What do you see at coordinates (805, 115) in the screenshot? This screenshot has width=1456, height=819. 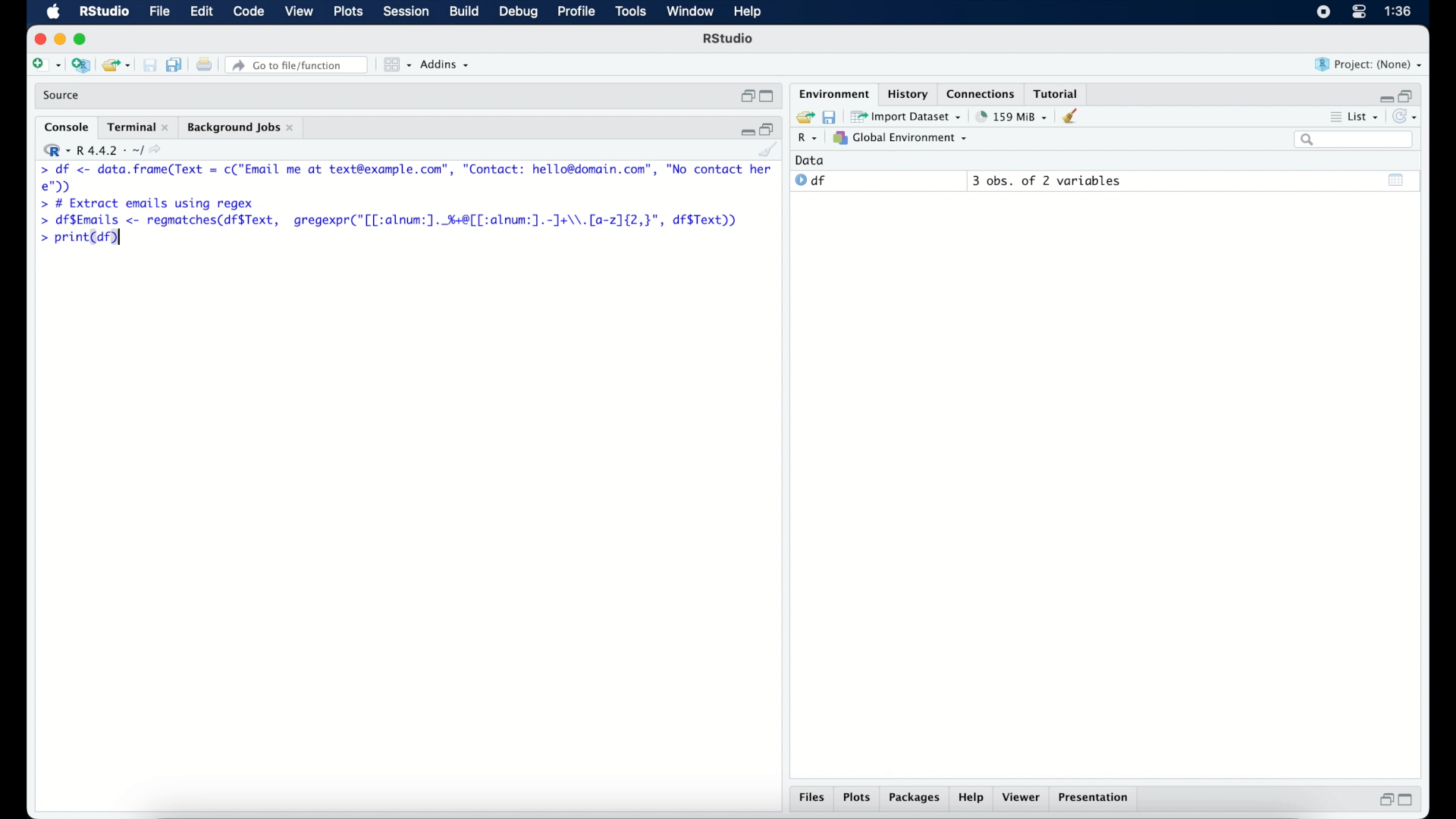 I see `load workspace` at bounding box center [805, 115].